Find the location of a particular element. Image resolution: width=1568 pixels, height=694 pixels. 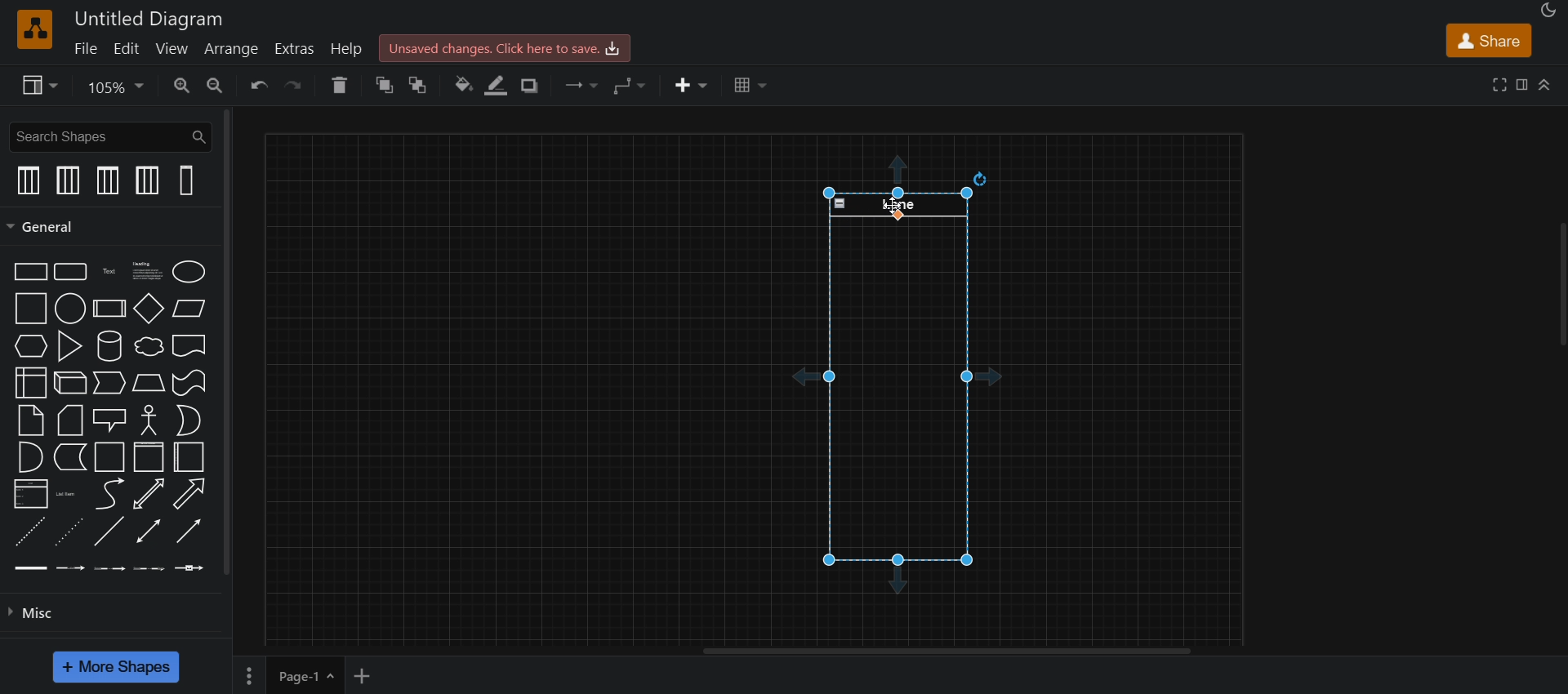

horizontal scroll bar is located at coordinates (946, 652).